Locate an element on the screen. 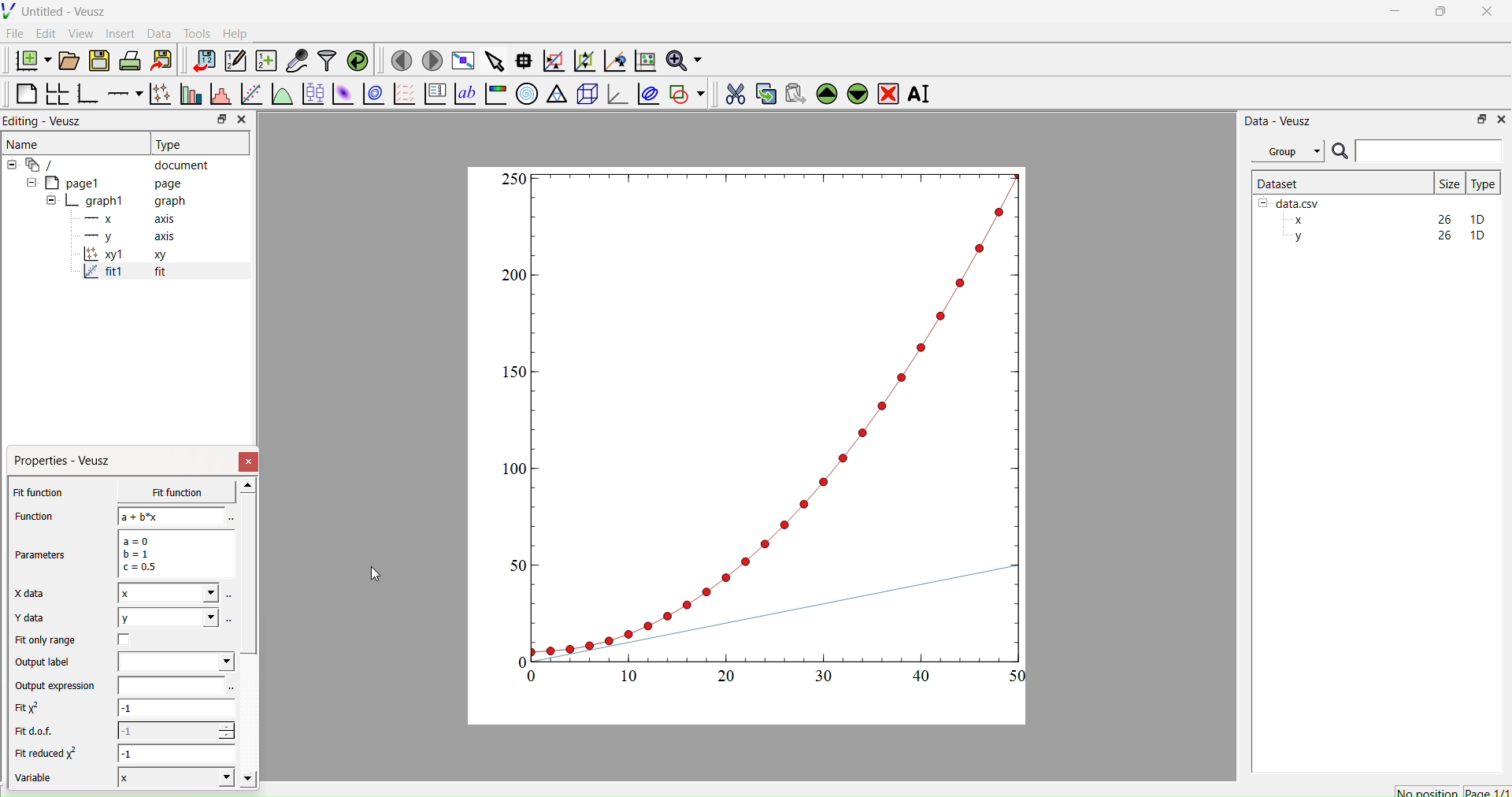 The height and width of the screenshot is (797, 1512). Plot a 2d dataset as image is located at coordinates (342, 94).